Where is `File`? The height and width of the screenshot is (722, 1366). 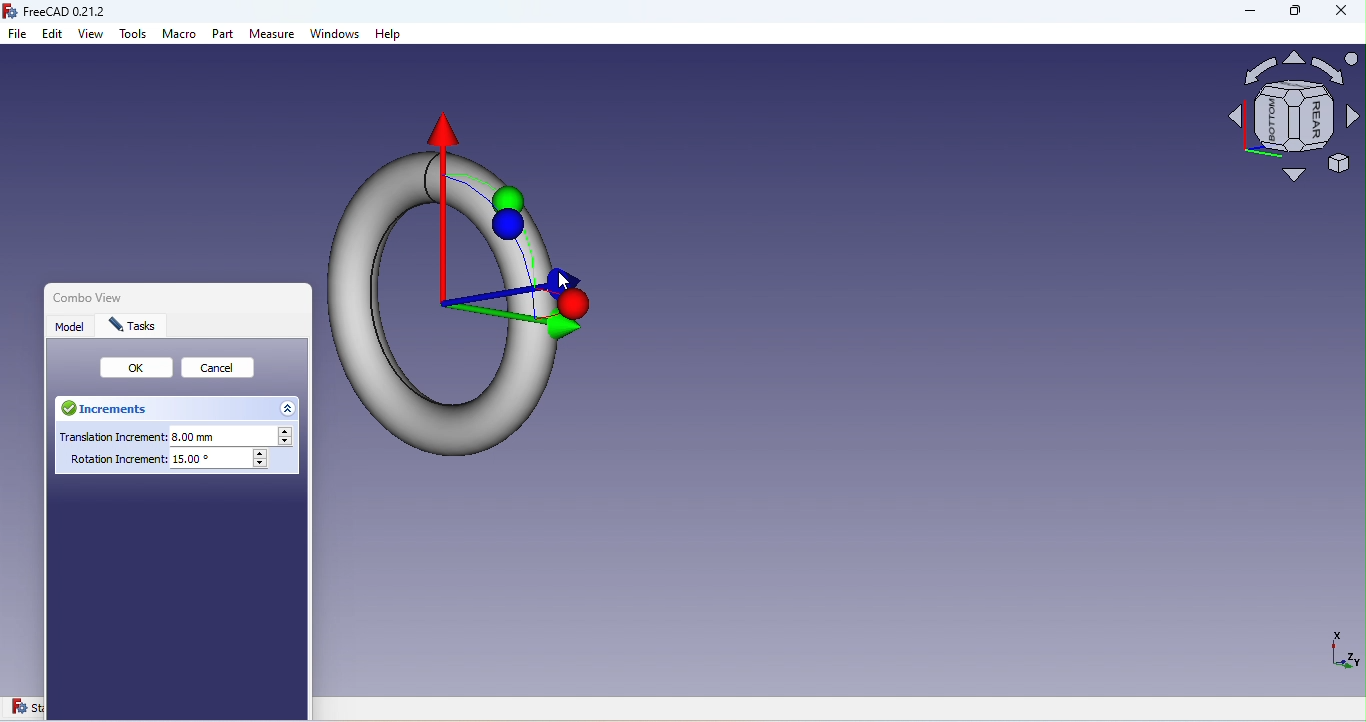 File is located at coordinates (19, 35).